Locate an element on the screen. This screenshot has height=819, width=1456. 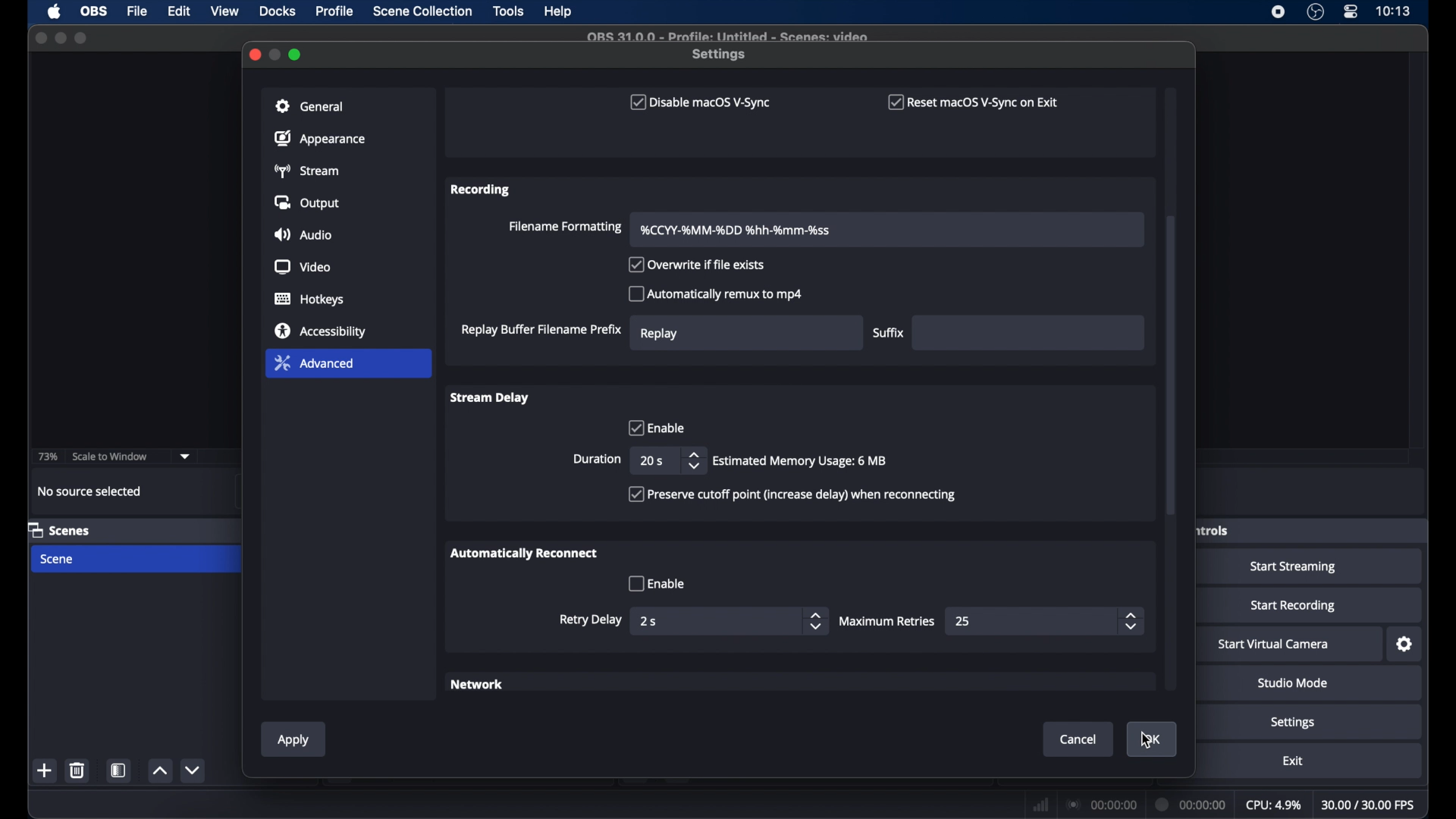
checkbox is located at coordinates (656, 583).